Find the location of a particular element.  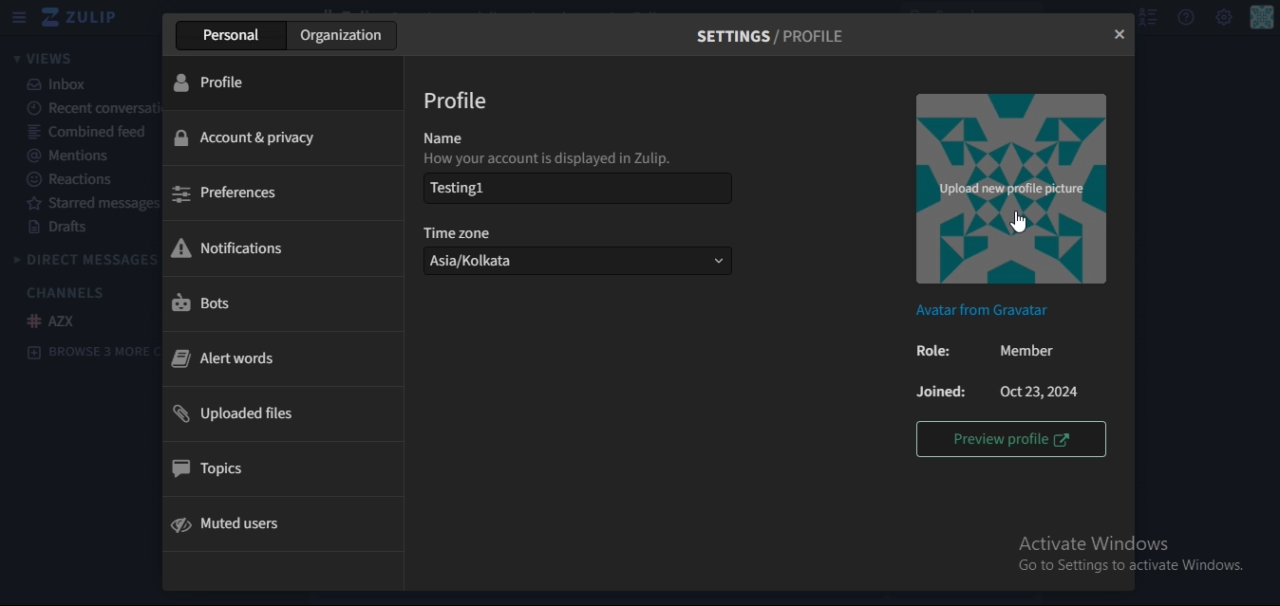

Joined :Oct 23, 2024 is located at coordinates (1007, 392).